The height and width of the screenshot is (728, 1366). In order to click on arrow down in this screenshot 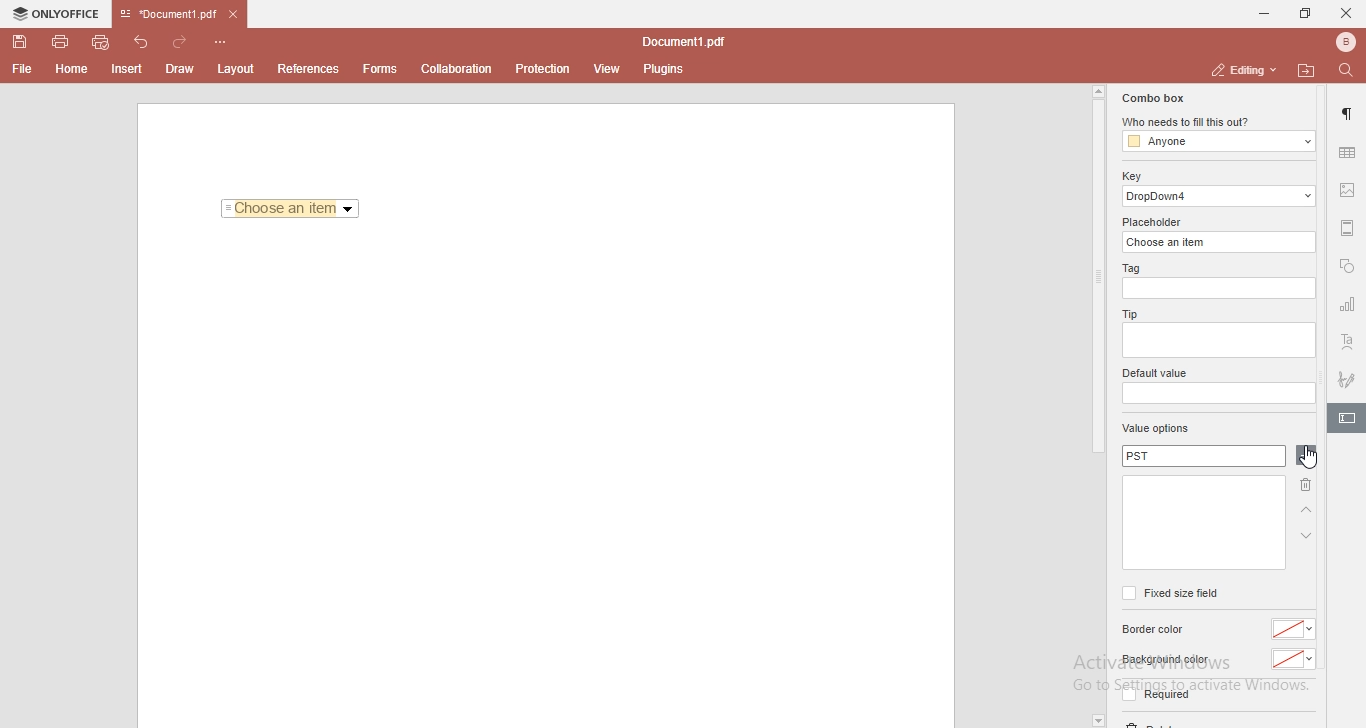, I will do `click(1307, 536)`.